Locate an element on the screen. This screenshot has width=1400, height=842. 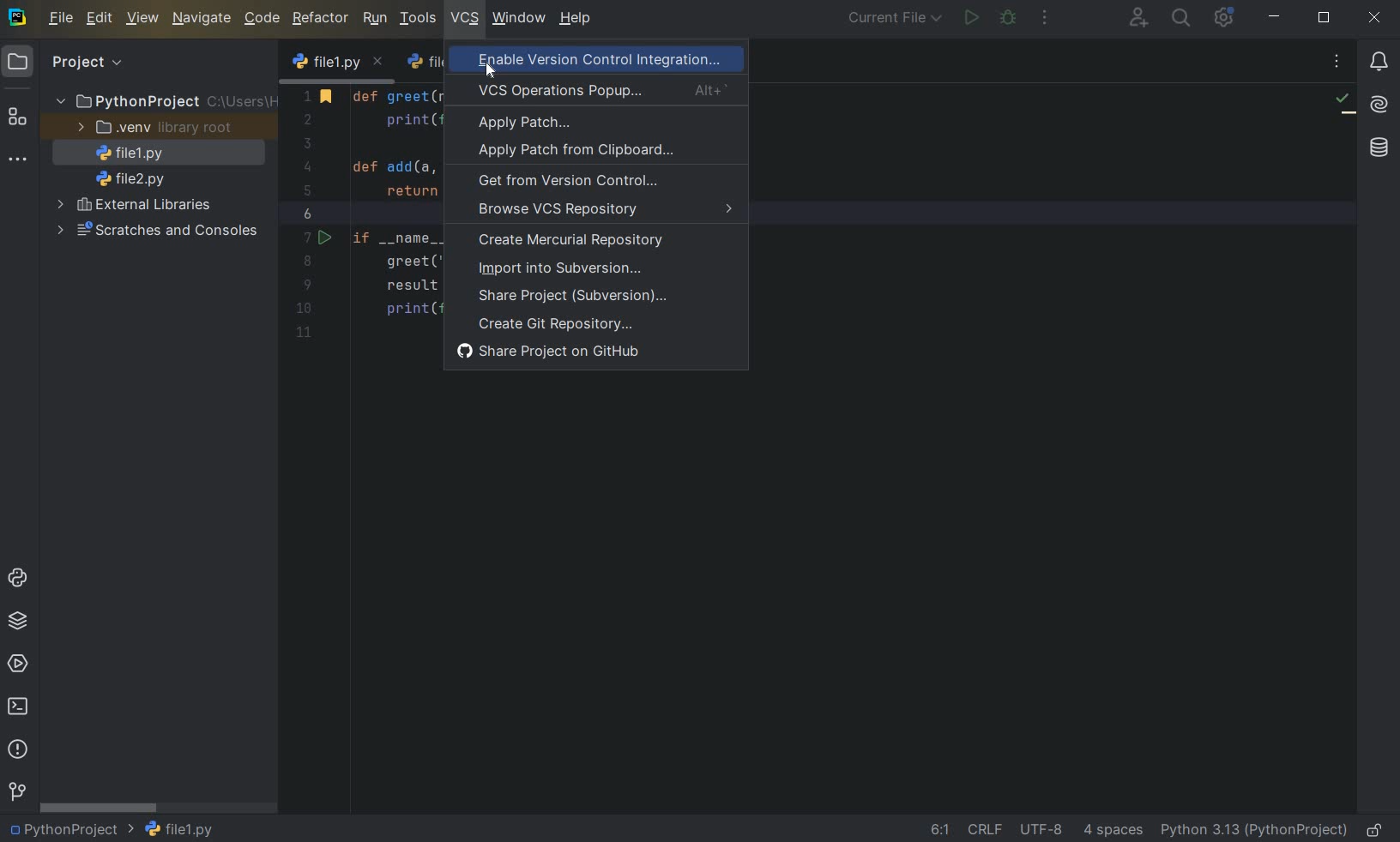
Project is located at coordinates (87, 63).